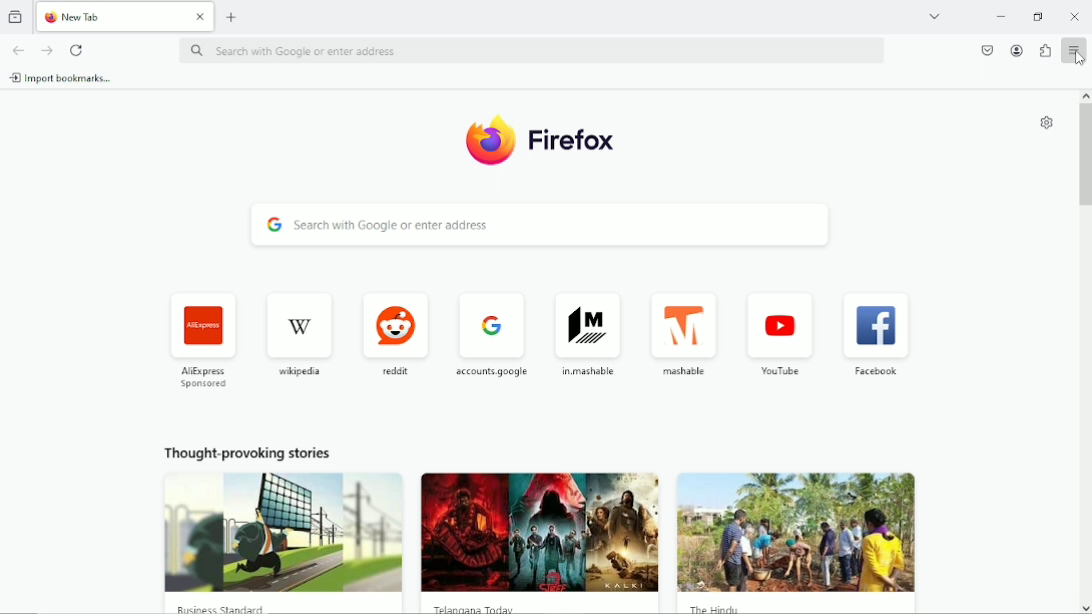 The width and height of the screenshot is (1092, 614). What do you see at coordinates (934, 16) in the screenshot?
I see `list all tabs` at bounding box center [934, 16].